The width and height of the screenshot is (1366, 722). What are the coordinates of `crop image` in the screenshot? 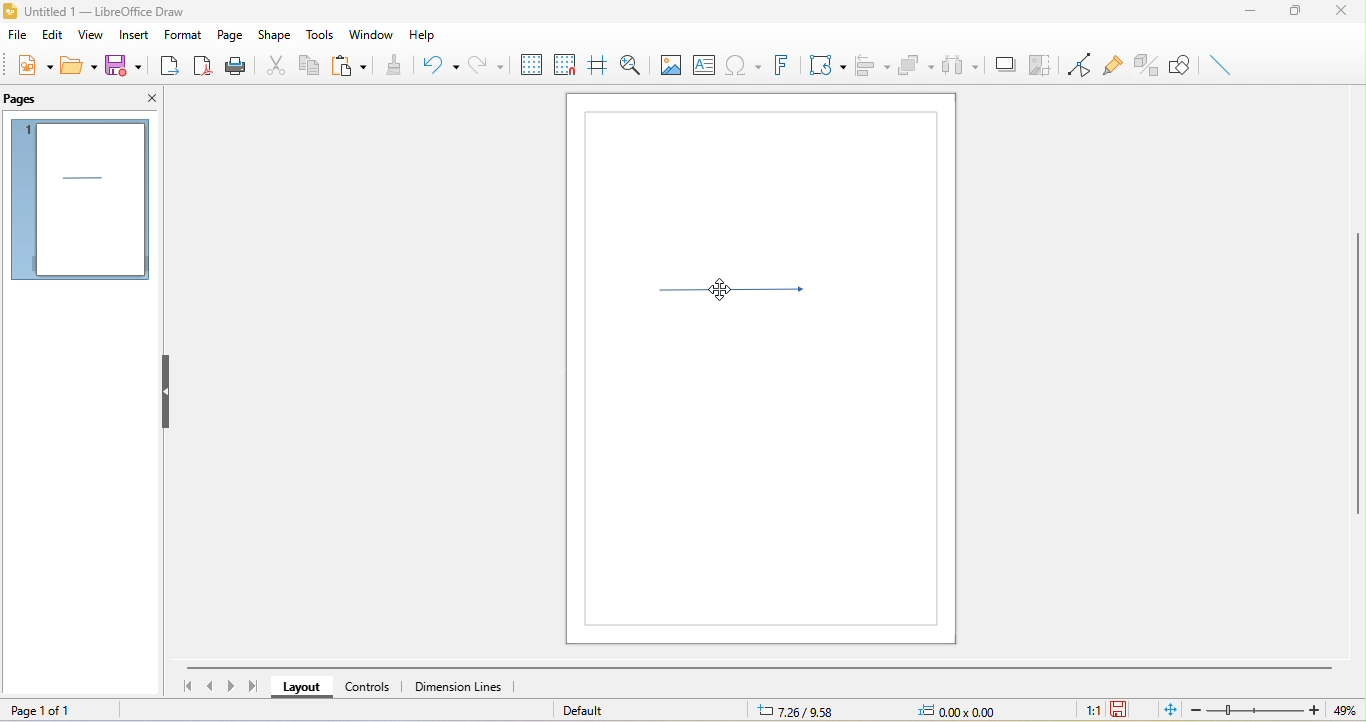 It's located at (1042, 64).